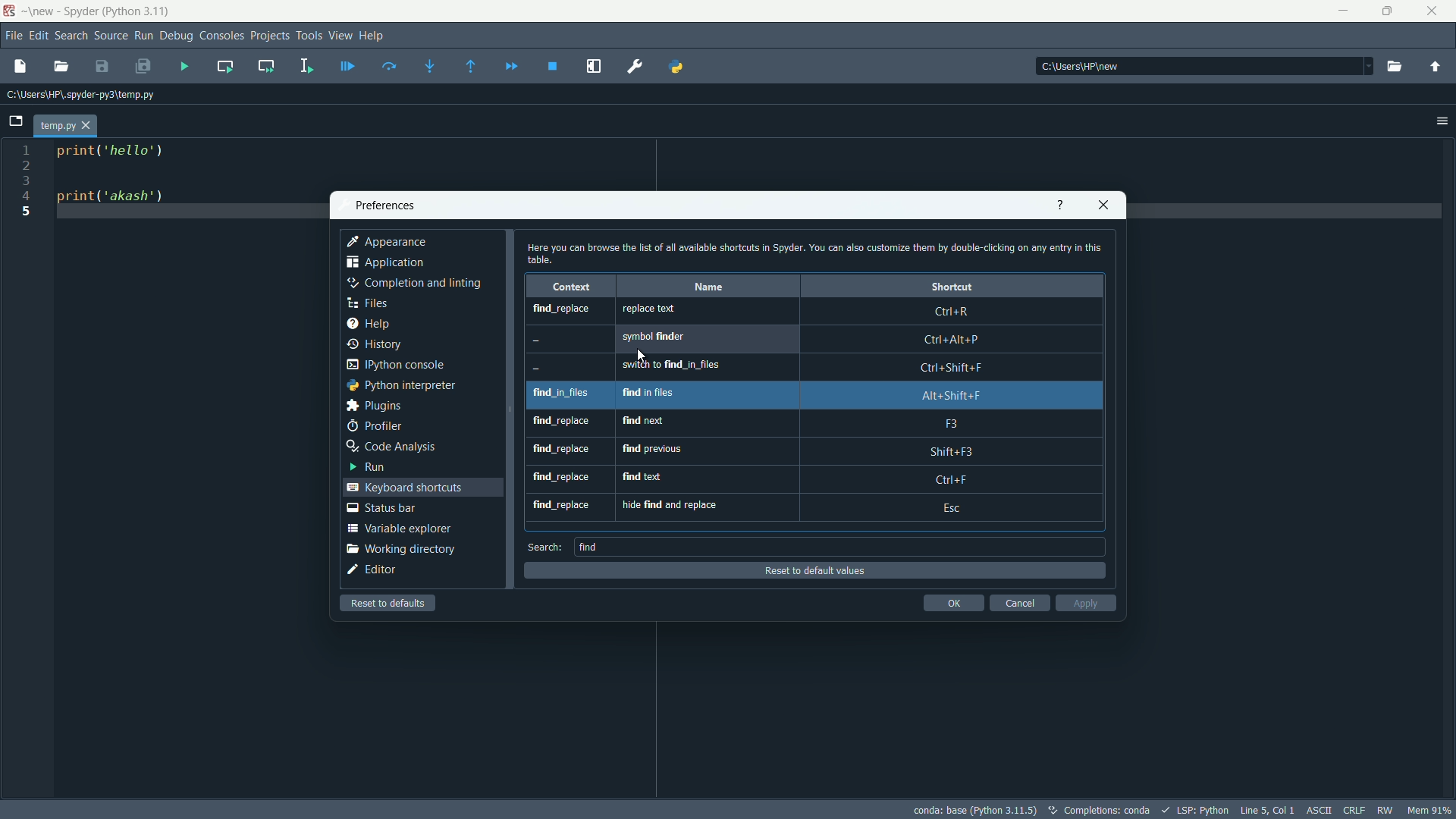 This screenshot has height=819, width=1456. What do you see at coordinates (817, 254) in the screenshot?
I see `Here you can browse the list of all available shortcuts in Spyder. You can also customize them by double-clicking on any entry in this table.` at bounding box center [817, 254].